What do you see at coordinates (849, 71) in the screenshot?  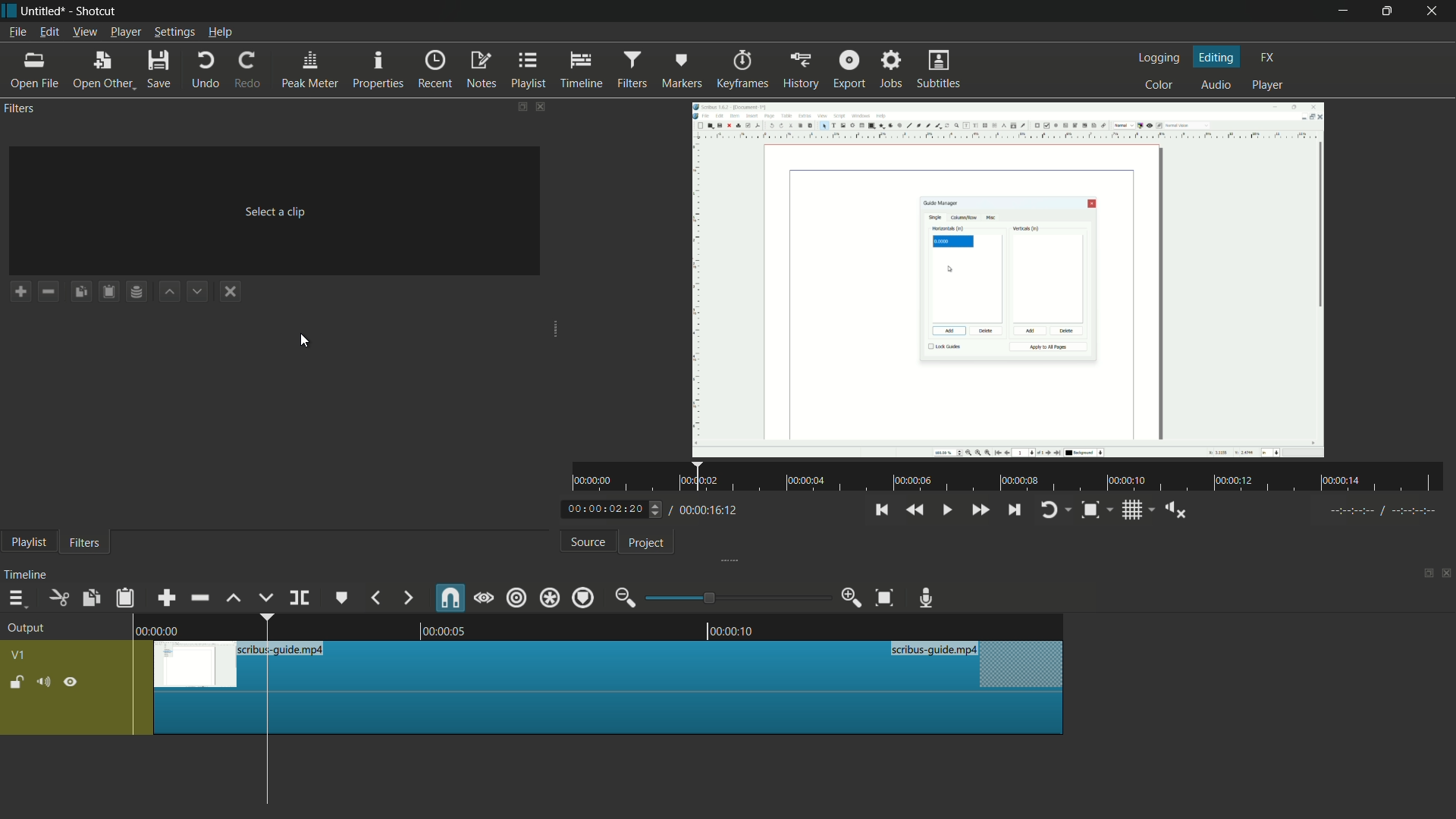 I see `export` at bounding box center [849, 71].